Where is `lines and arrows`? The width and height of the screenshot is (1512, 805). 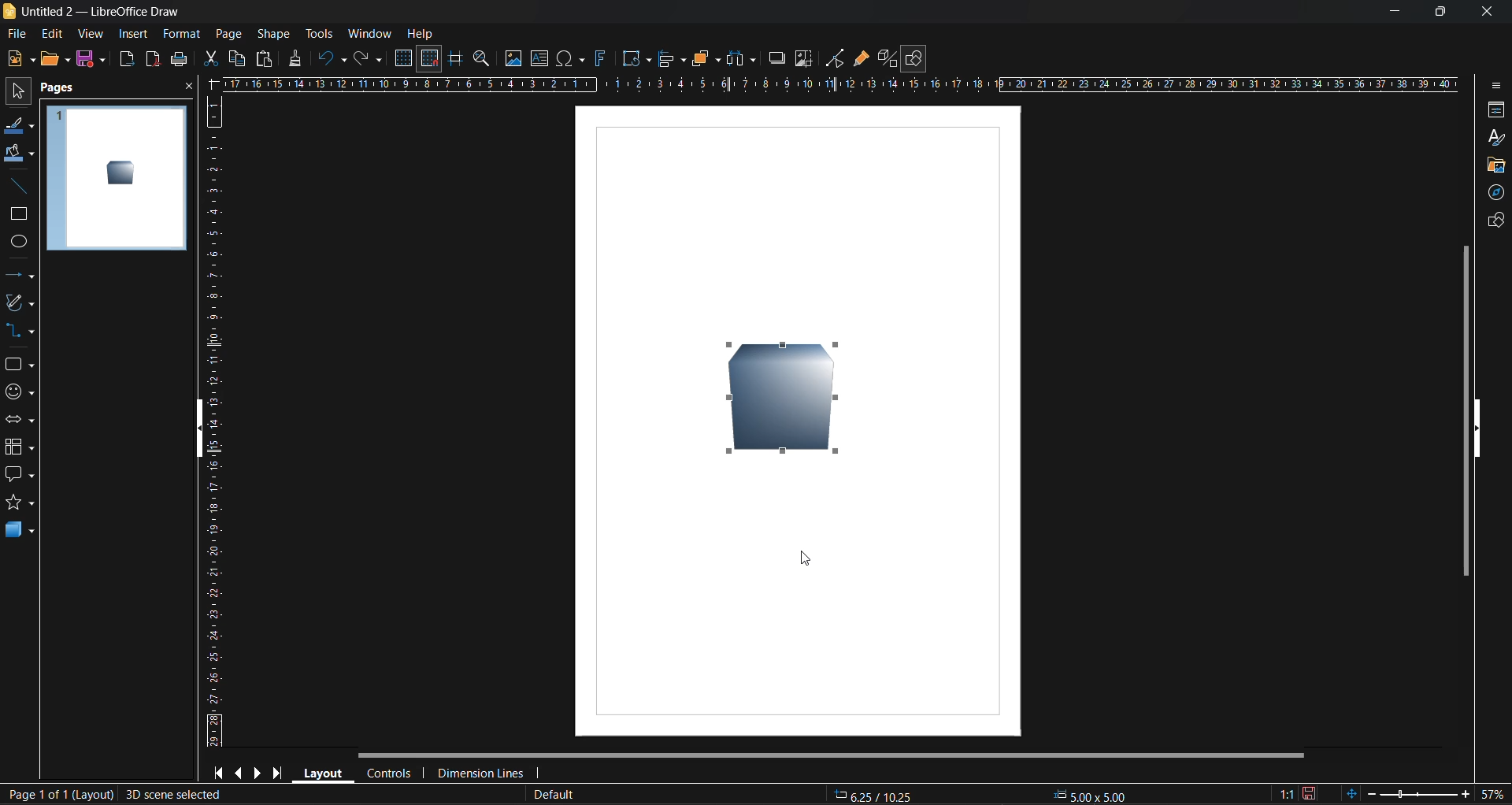
lines and arrows is located at coordinates (20, 275).